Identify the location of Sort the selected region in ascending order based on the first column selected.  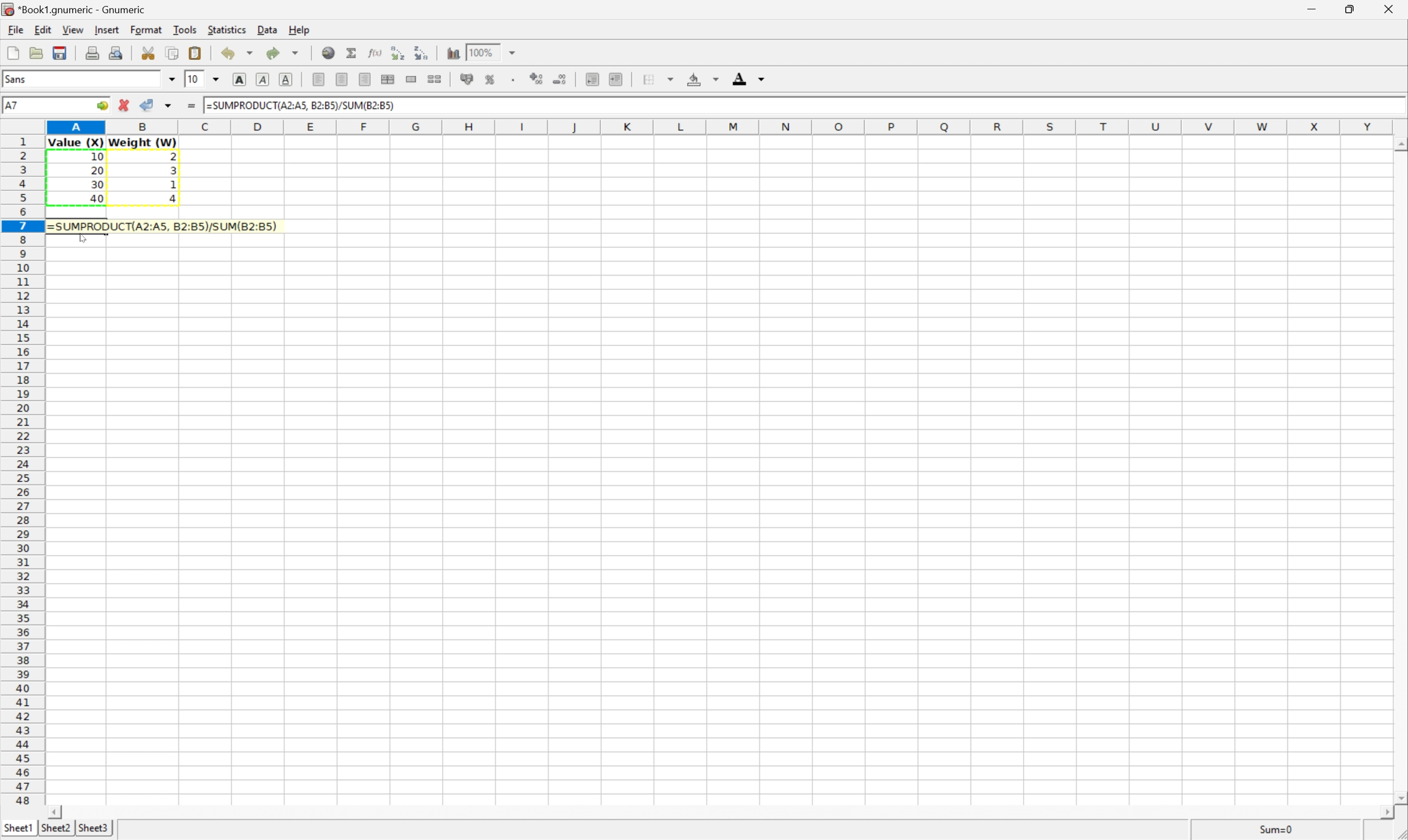
(397, 52).